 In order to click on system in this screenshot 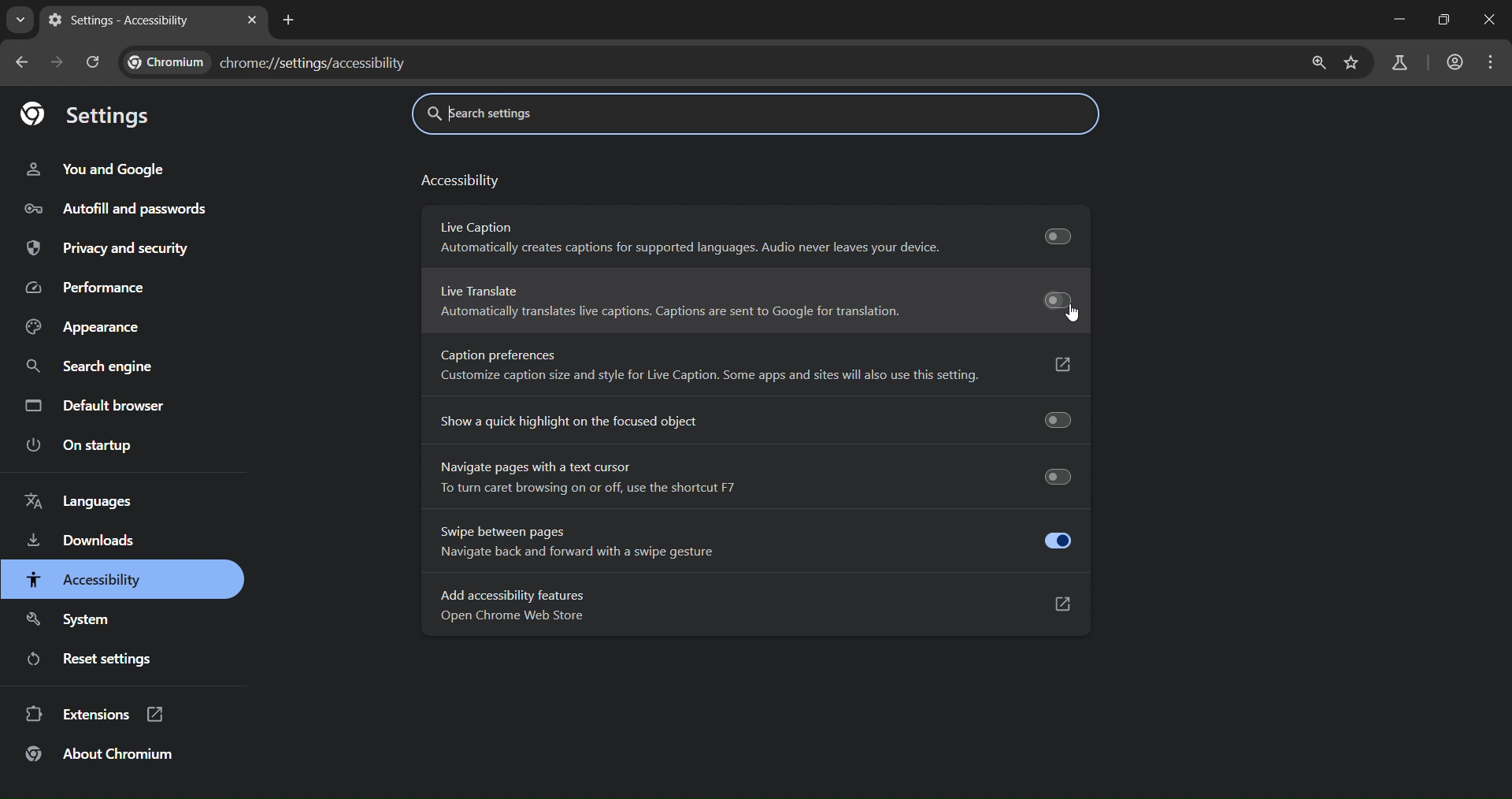, I will do `click(74, 621)`.